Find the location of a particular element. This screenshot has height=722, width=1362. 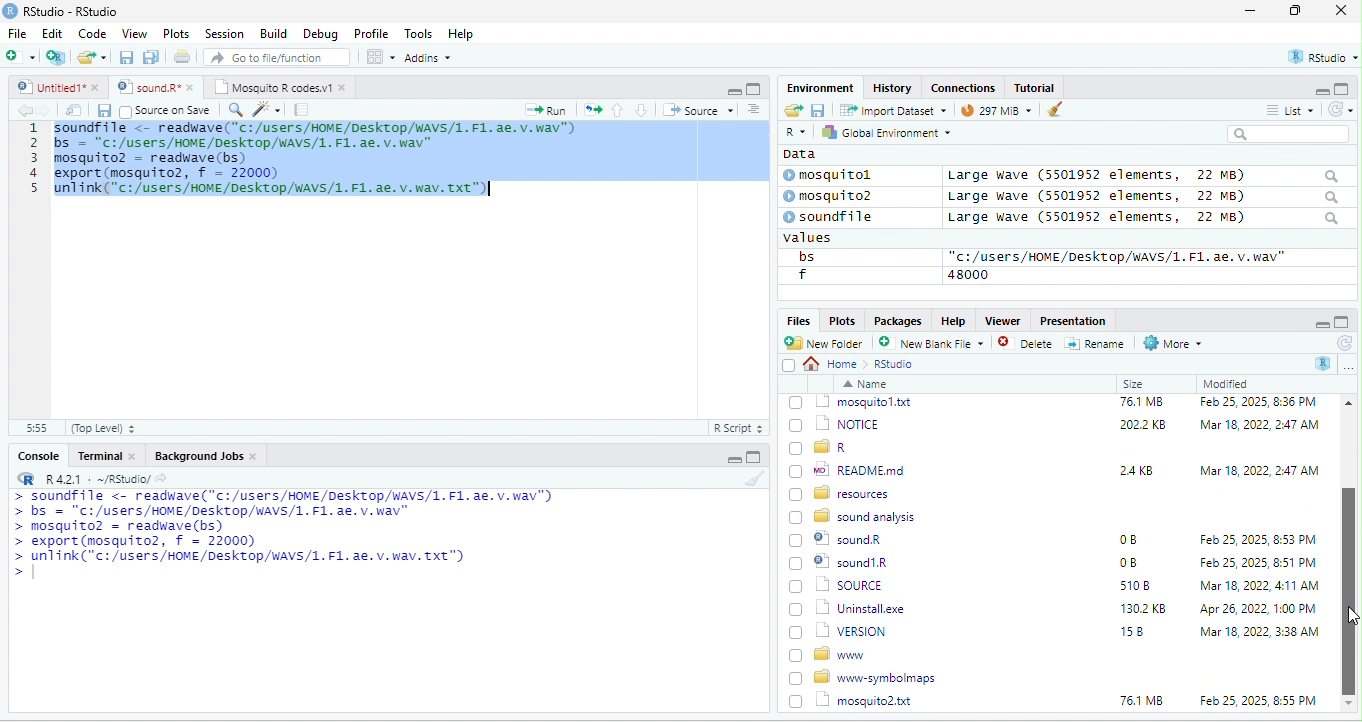

# import Dataset is located at coordinates (891, 109).